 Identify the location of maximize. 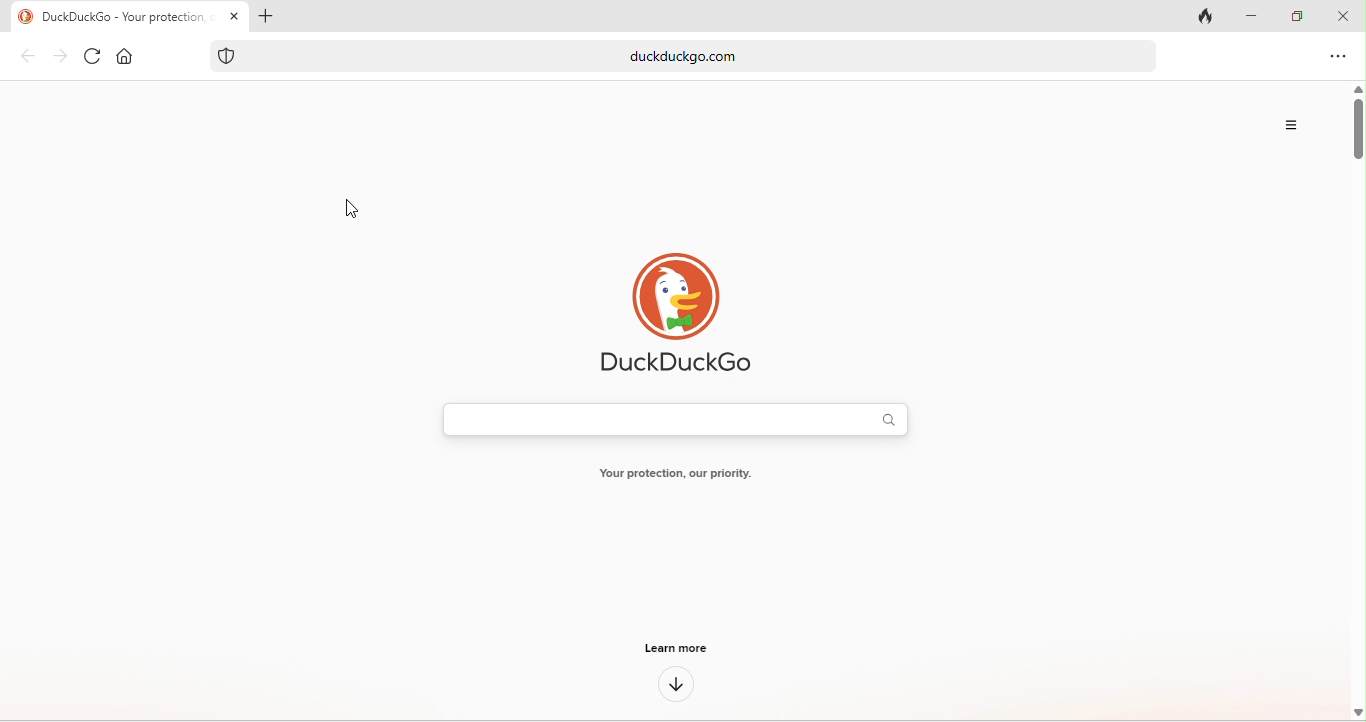
(1289, 13).